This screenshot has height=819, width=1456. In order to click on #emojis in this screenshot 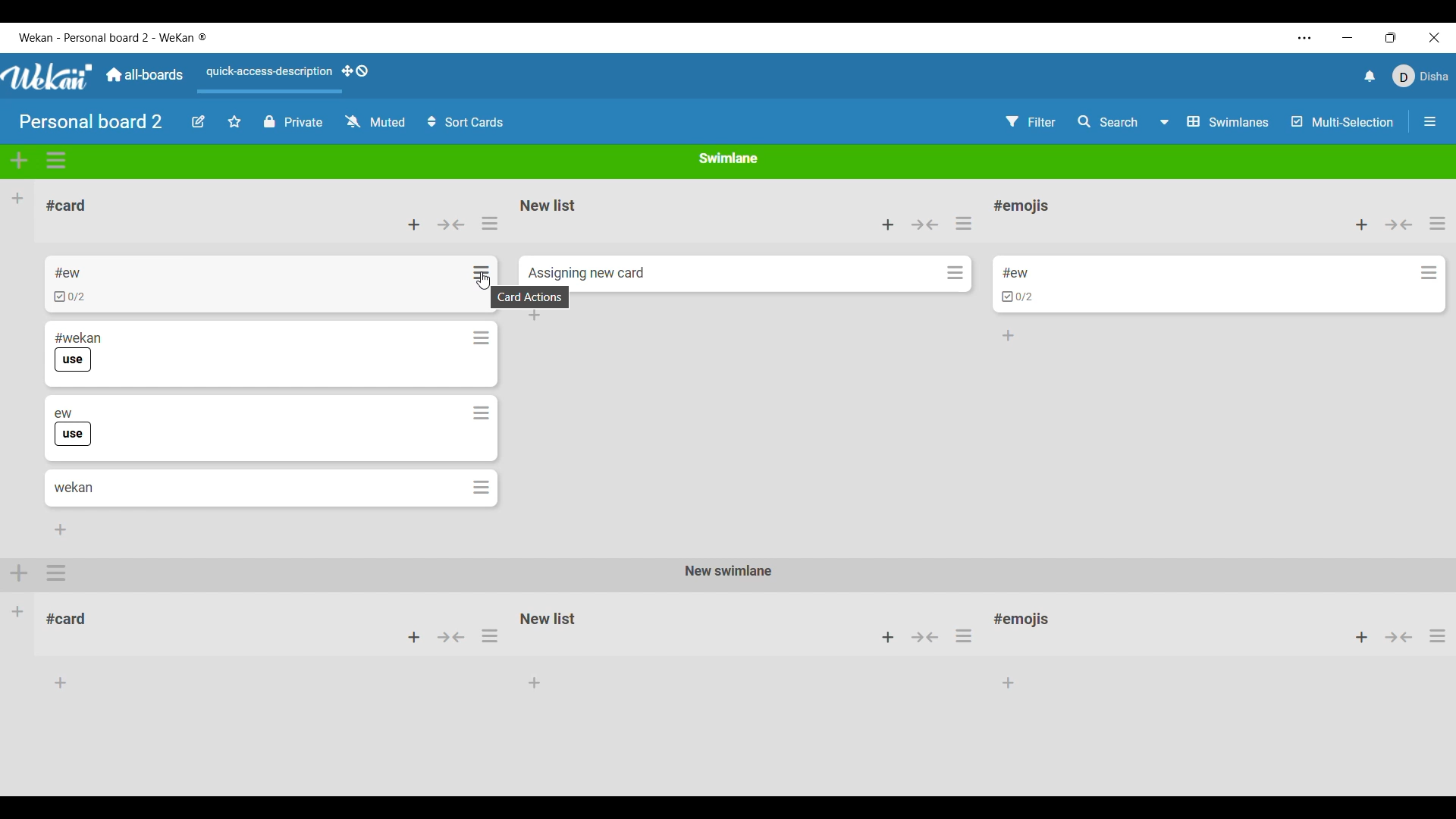, I will do `click(1027, 623)`.